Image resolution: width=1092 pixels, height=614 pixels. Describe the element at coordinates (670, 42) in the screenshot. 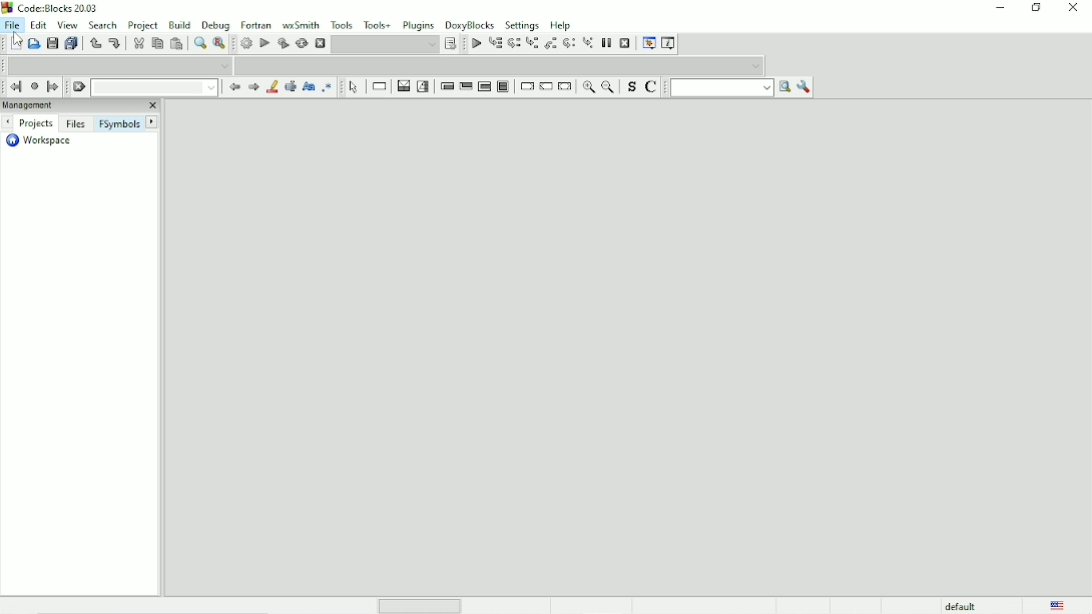

I see `Various info` at that location.